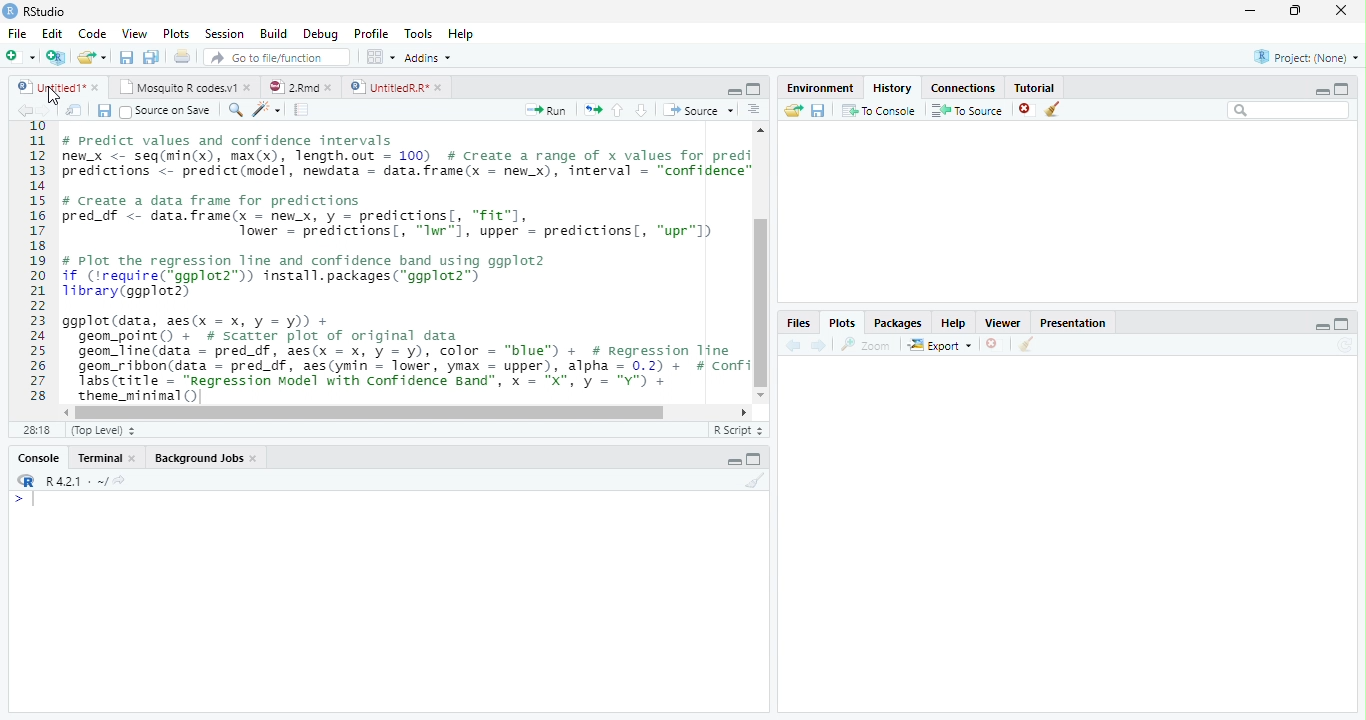 The width and height of the screenshot is (1366, 720). Describe the element at coordinates (393, 86) in the screenshot. I see `Untitled R` at that location.